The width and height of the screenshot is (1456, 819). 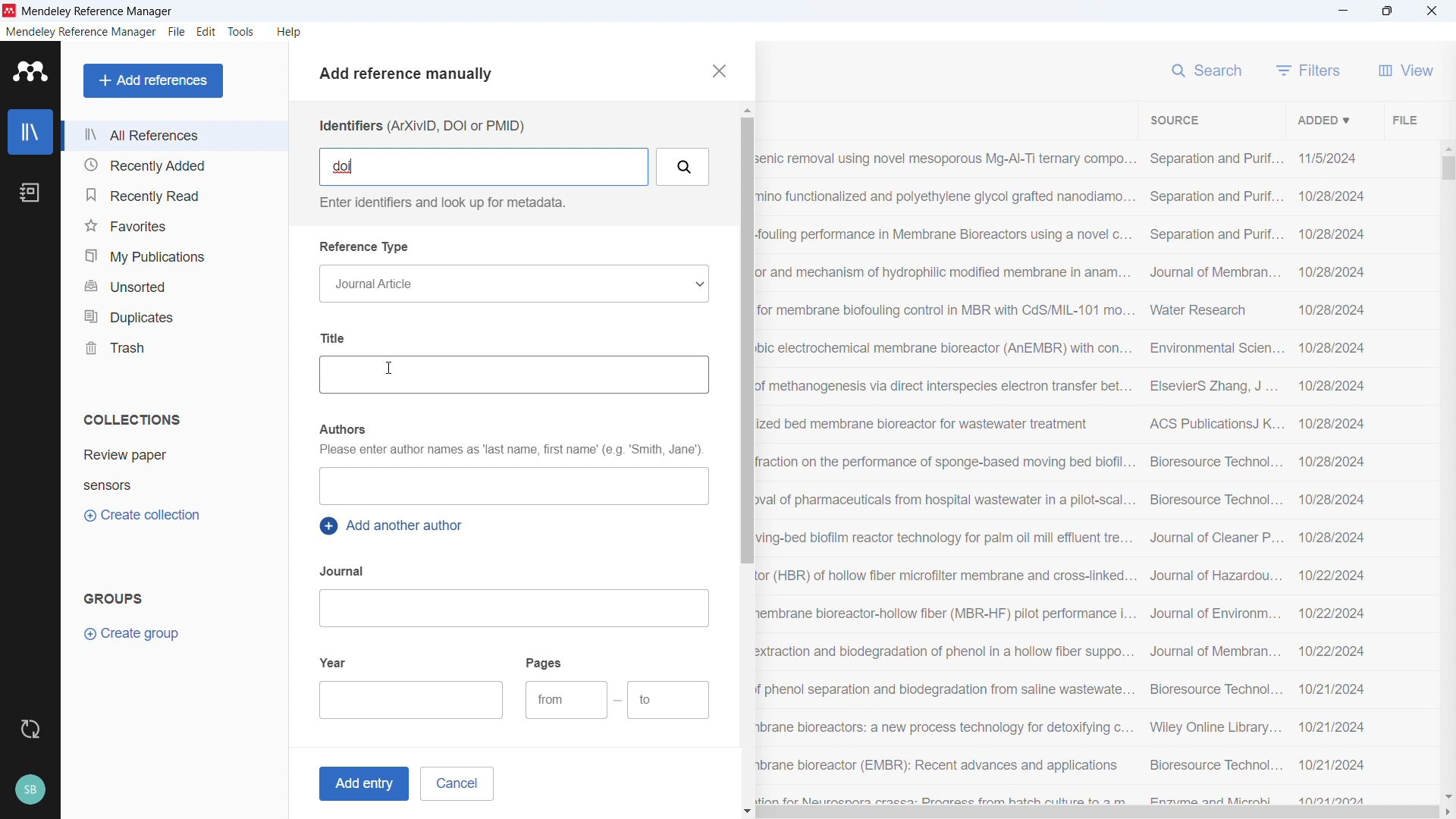 I want to click on title, so click(x=99, y=12).